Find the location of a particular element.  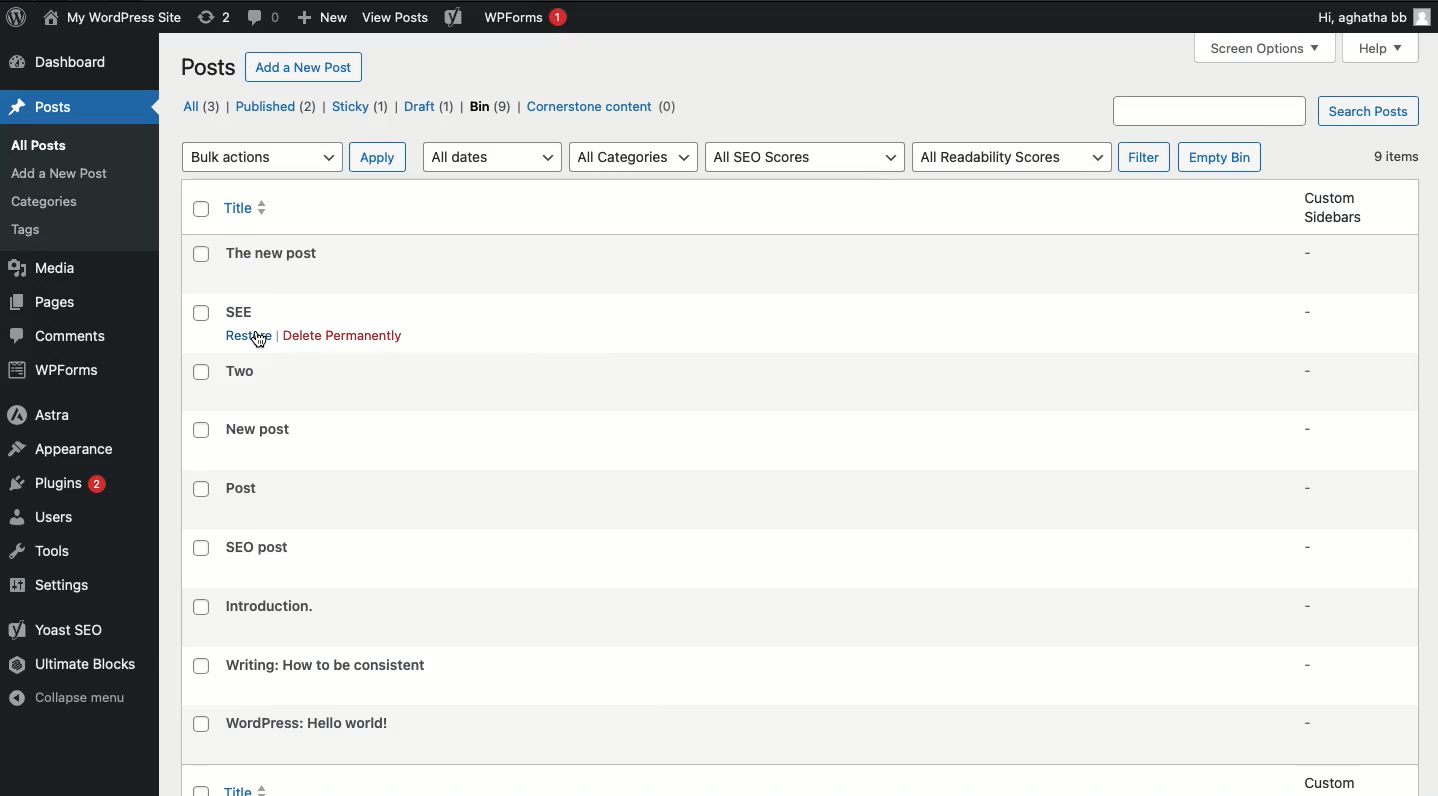

Search posts is located at coordinates (1371, 112).